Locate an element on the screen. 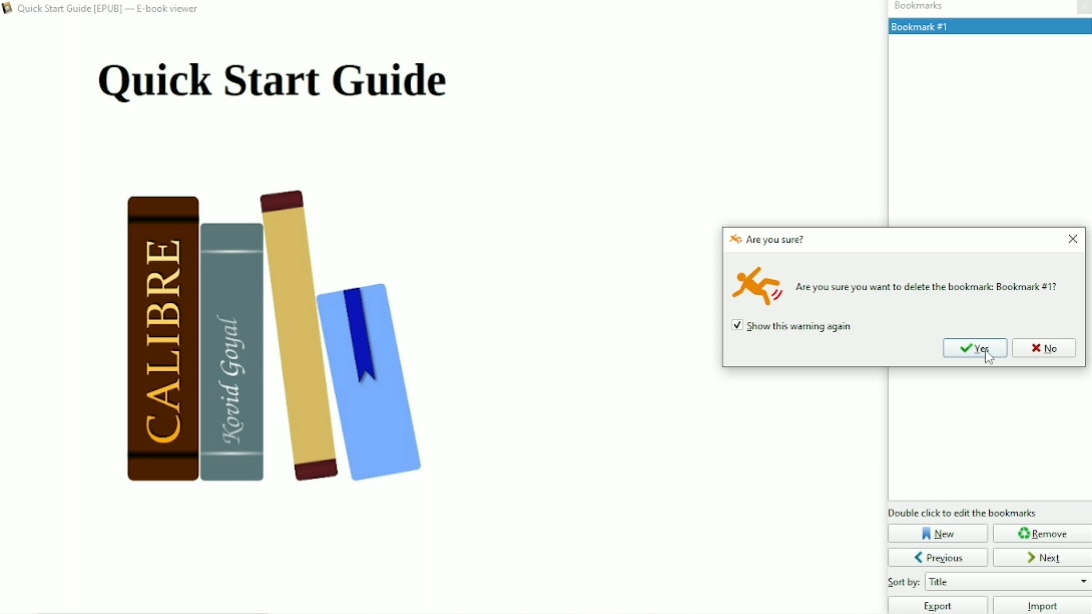  logo is located at coordinates (758, 283).